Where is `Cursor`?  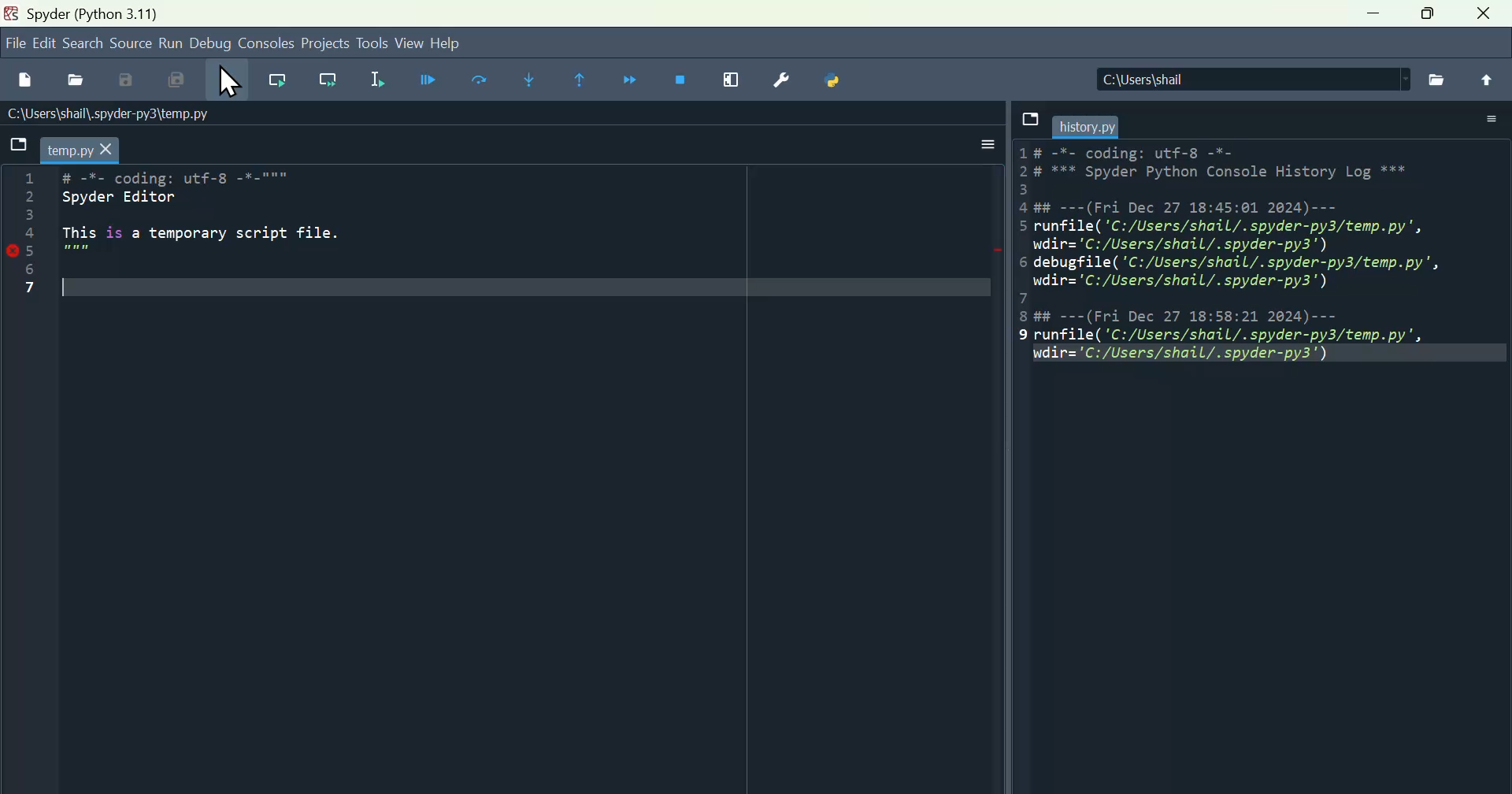
Cursor is located at coordinates (237, 81).